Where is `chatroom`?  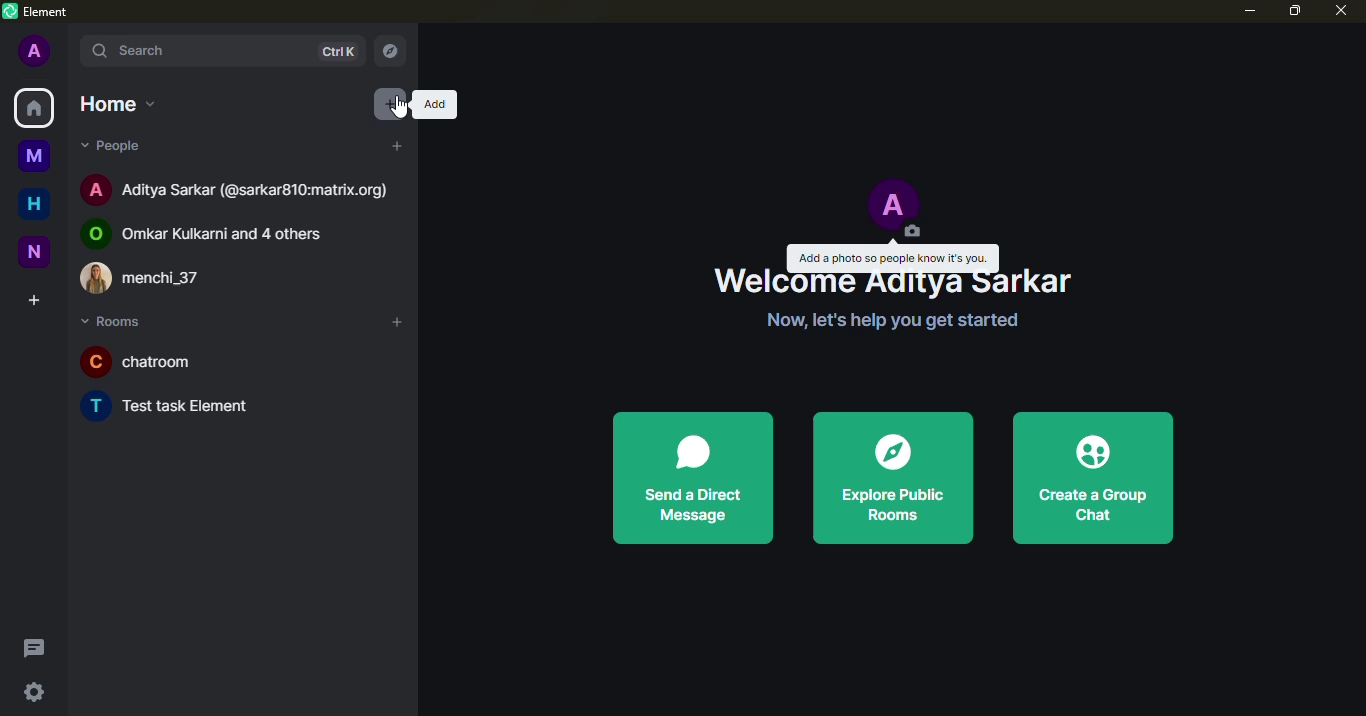
chatroom is located at coordinates (140, 360).